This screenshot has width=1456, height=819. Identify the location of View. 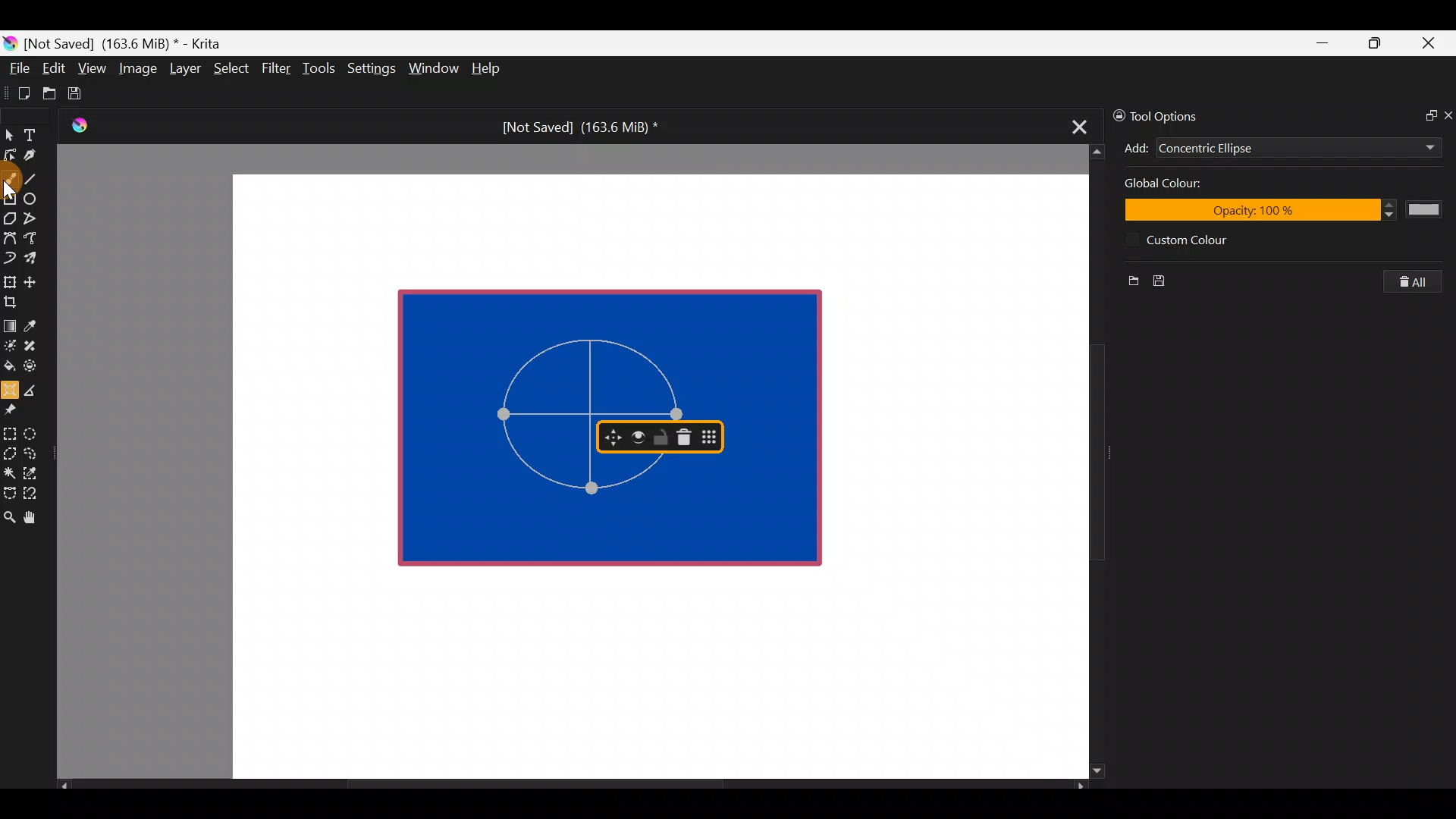
(93, 68).